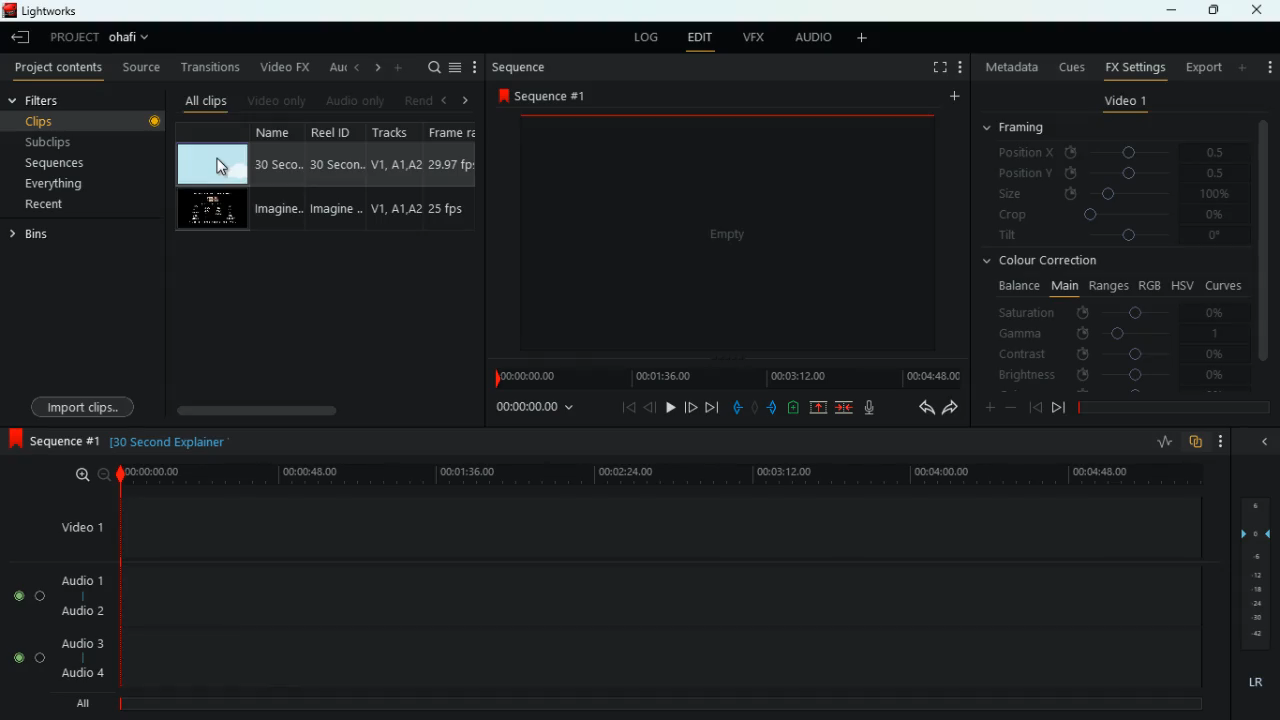 This screenshot has width=1280, height=720. I want to click on search, so click(427, 67).